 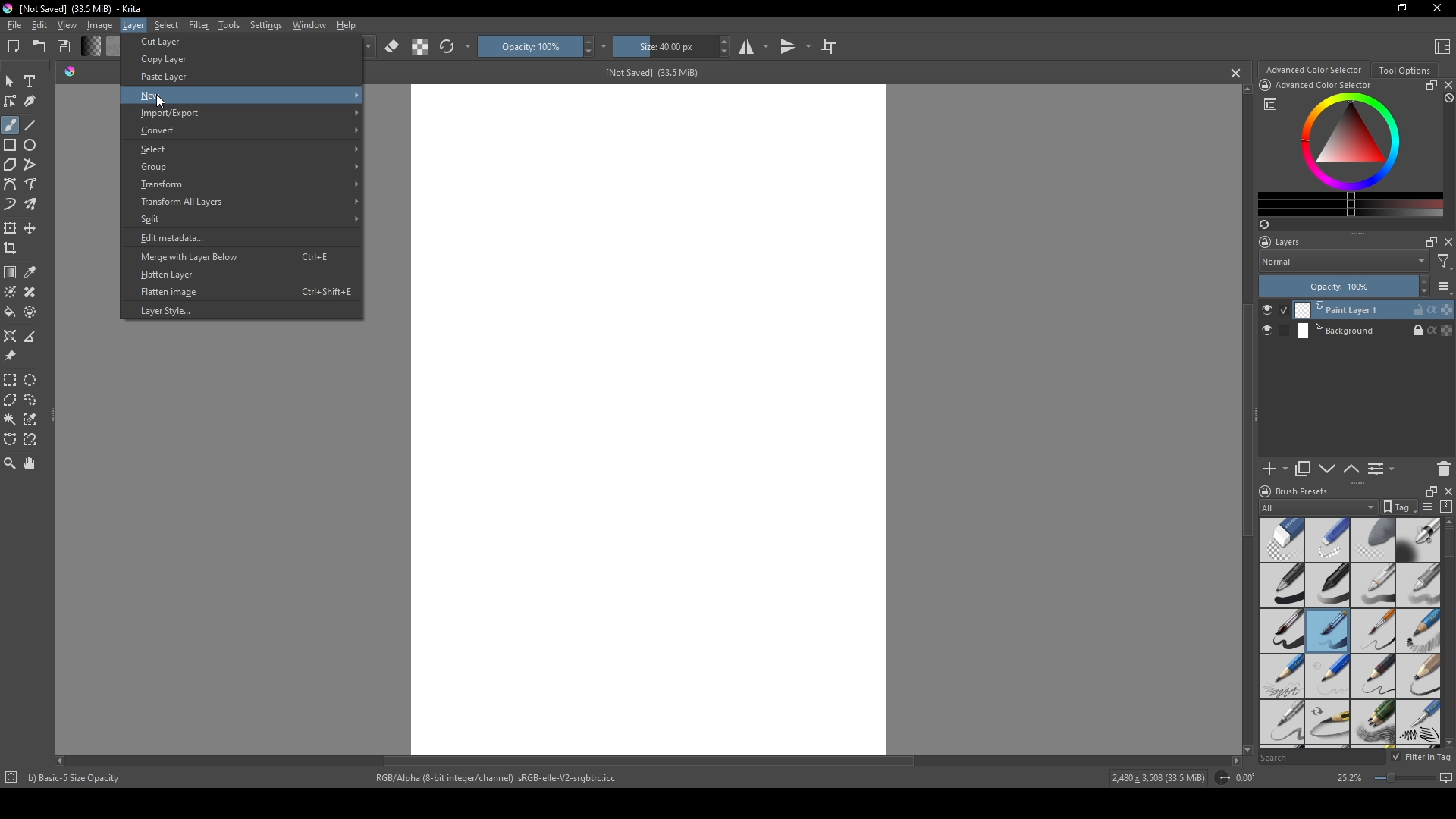 What do you see at coordinates (31, 125) in the screenshot?
I see `line` at bounding box center [31, 125].